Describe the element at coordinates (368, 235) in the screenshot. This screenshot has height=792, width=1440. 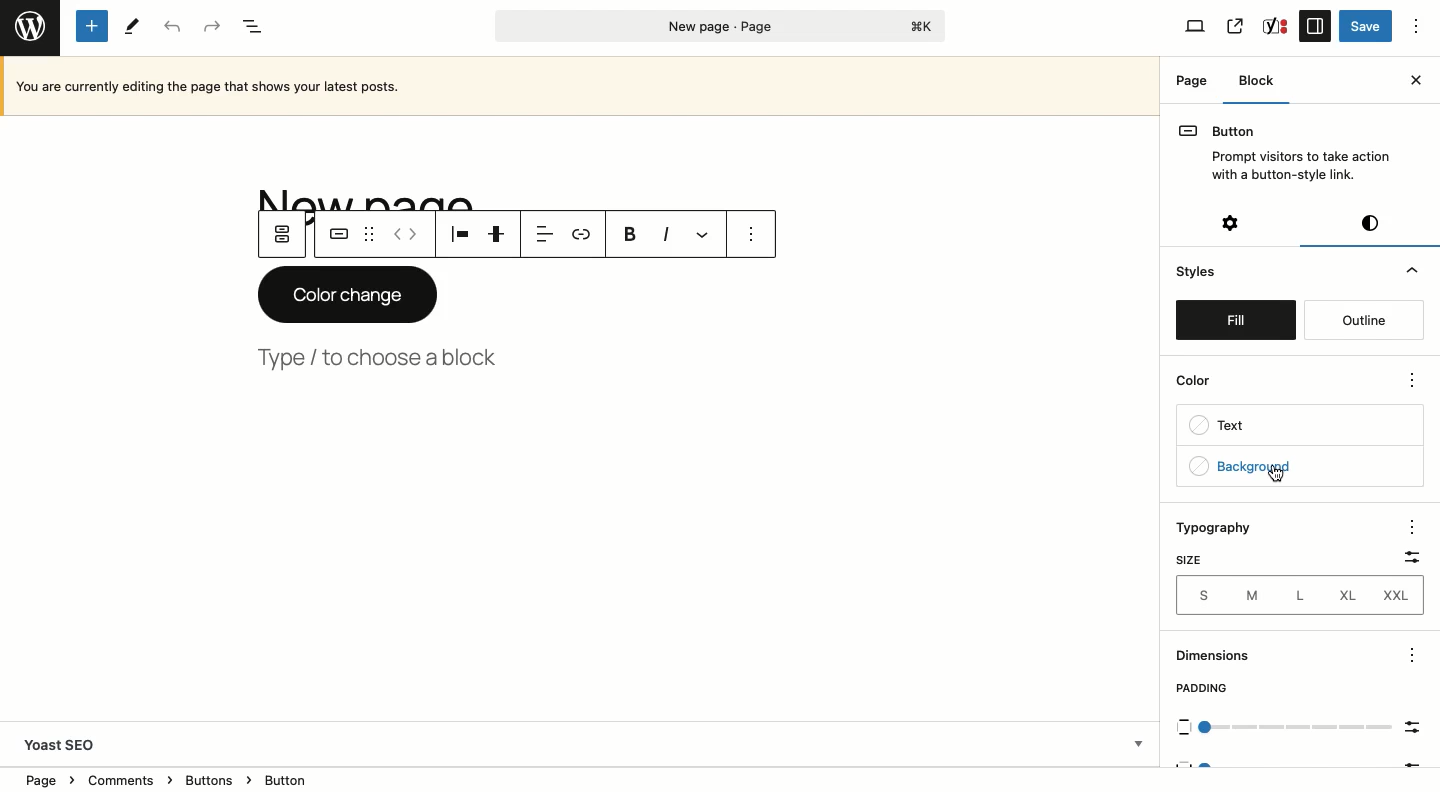
I see `Drag` at that location.